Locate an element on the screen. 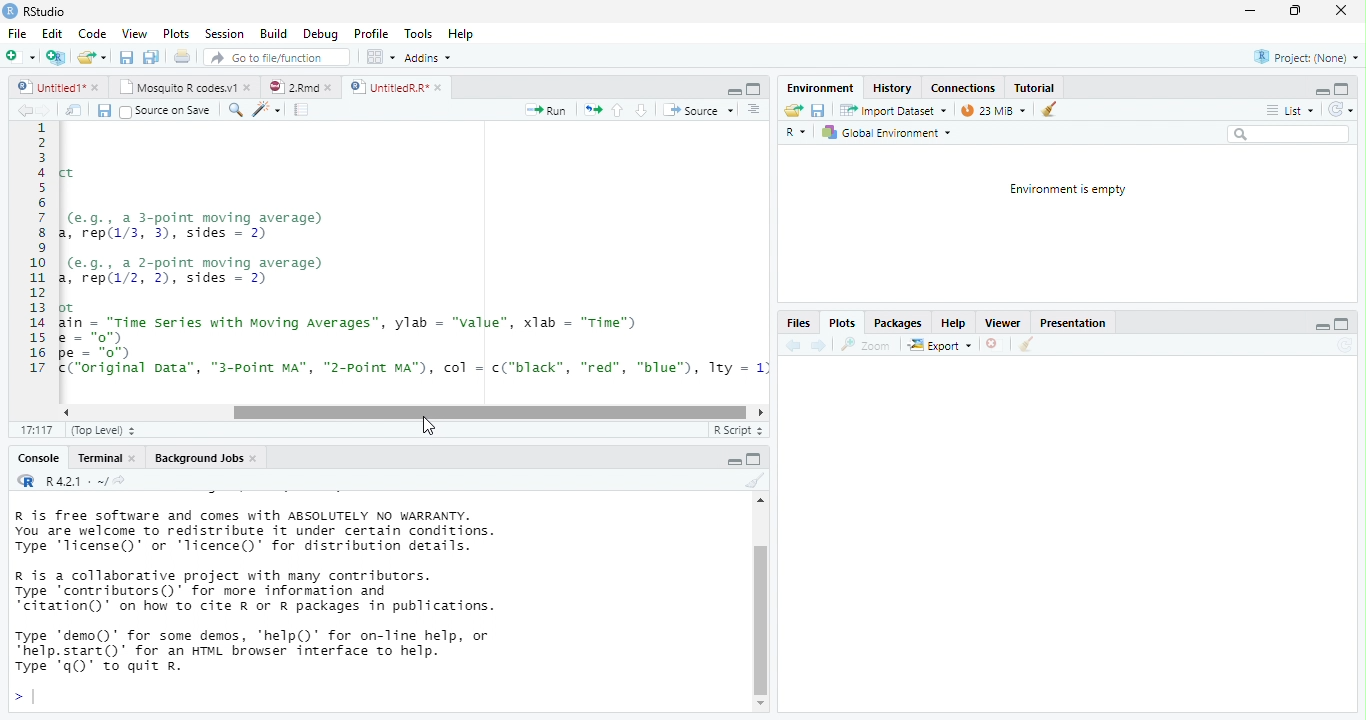 Image resolution: width=1366 pixels, height=720 pixels. save all open document is located at coordinates (126, 57).